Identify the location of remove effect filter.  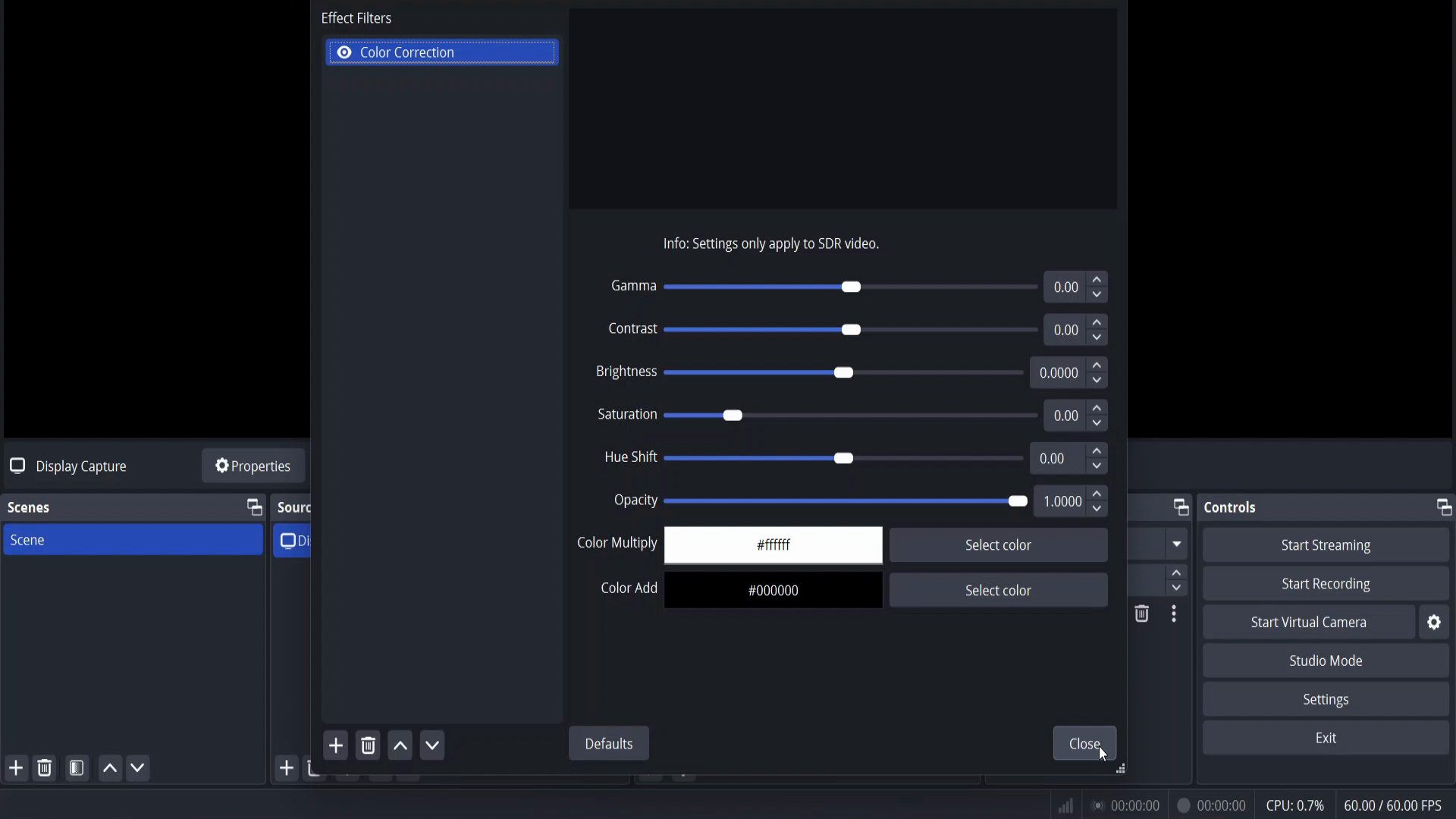
(368, 745).